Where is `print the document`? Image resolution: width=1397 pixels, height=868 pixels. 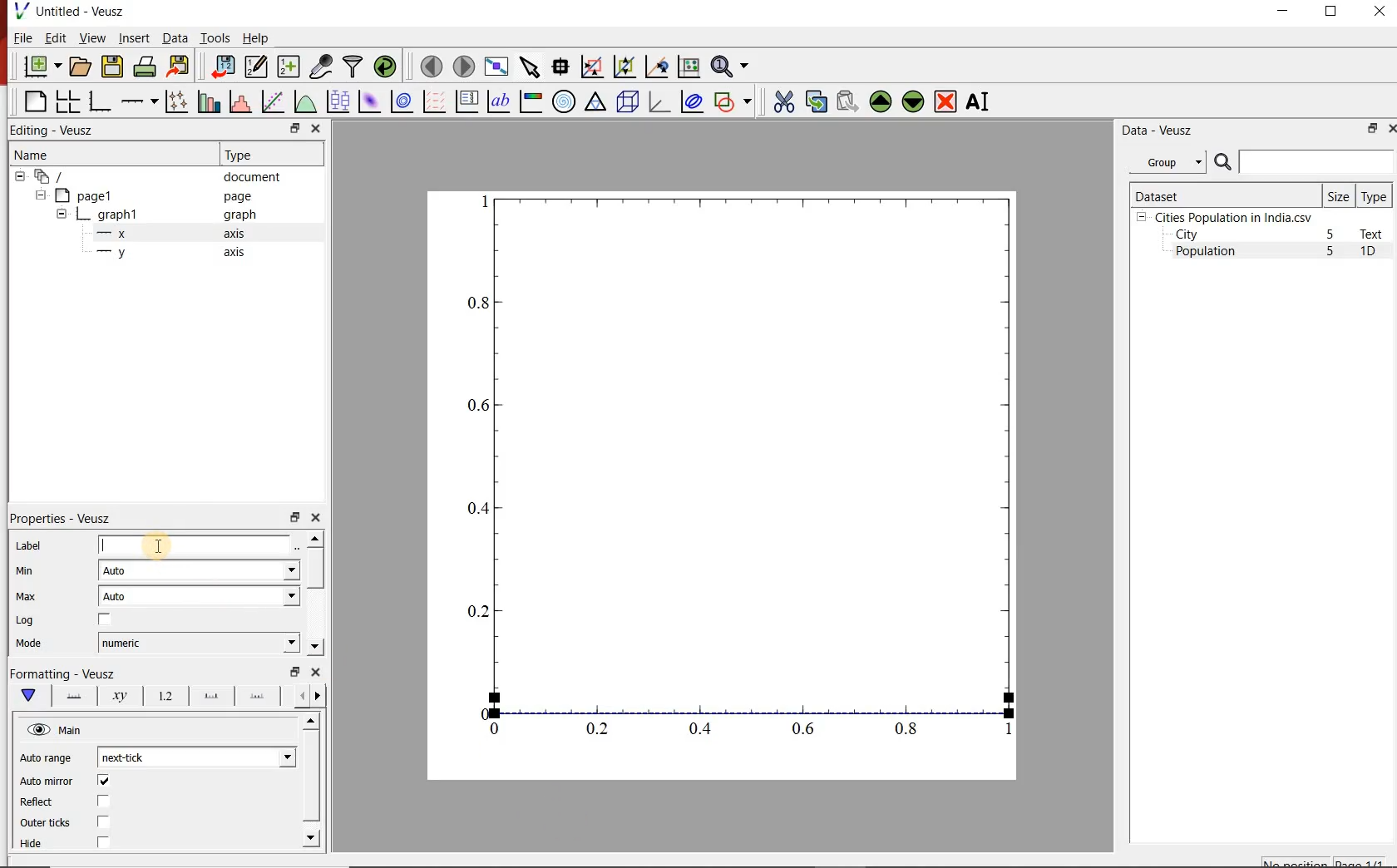
print the document is located at coordinates (144, 67).